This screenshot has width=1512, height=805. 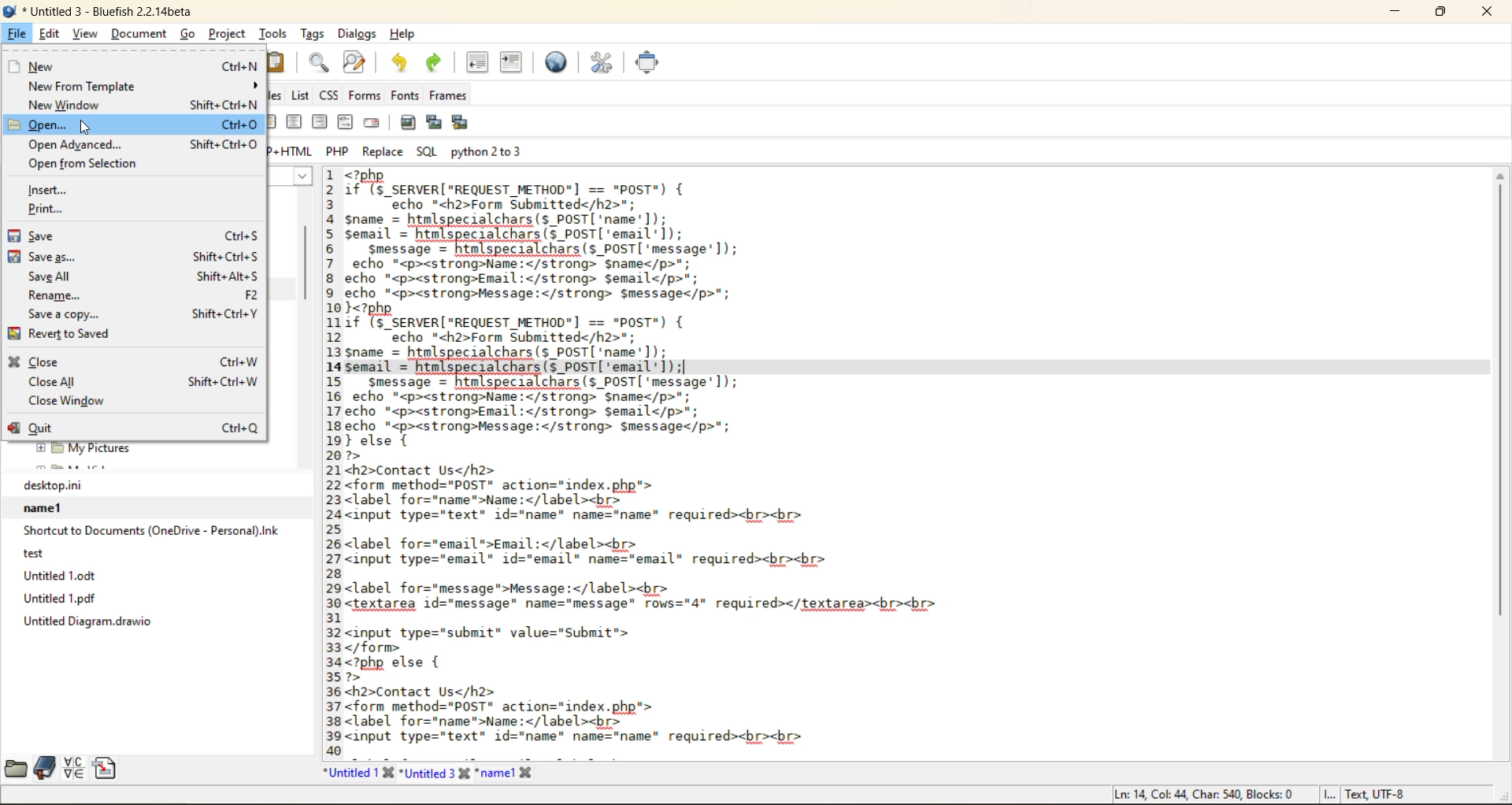 I want to click on Cursor, so click(x=84, y=127).